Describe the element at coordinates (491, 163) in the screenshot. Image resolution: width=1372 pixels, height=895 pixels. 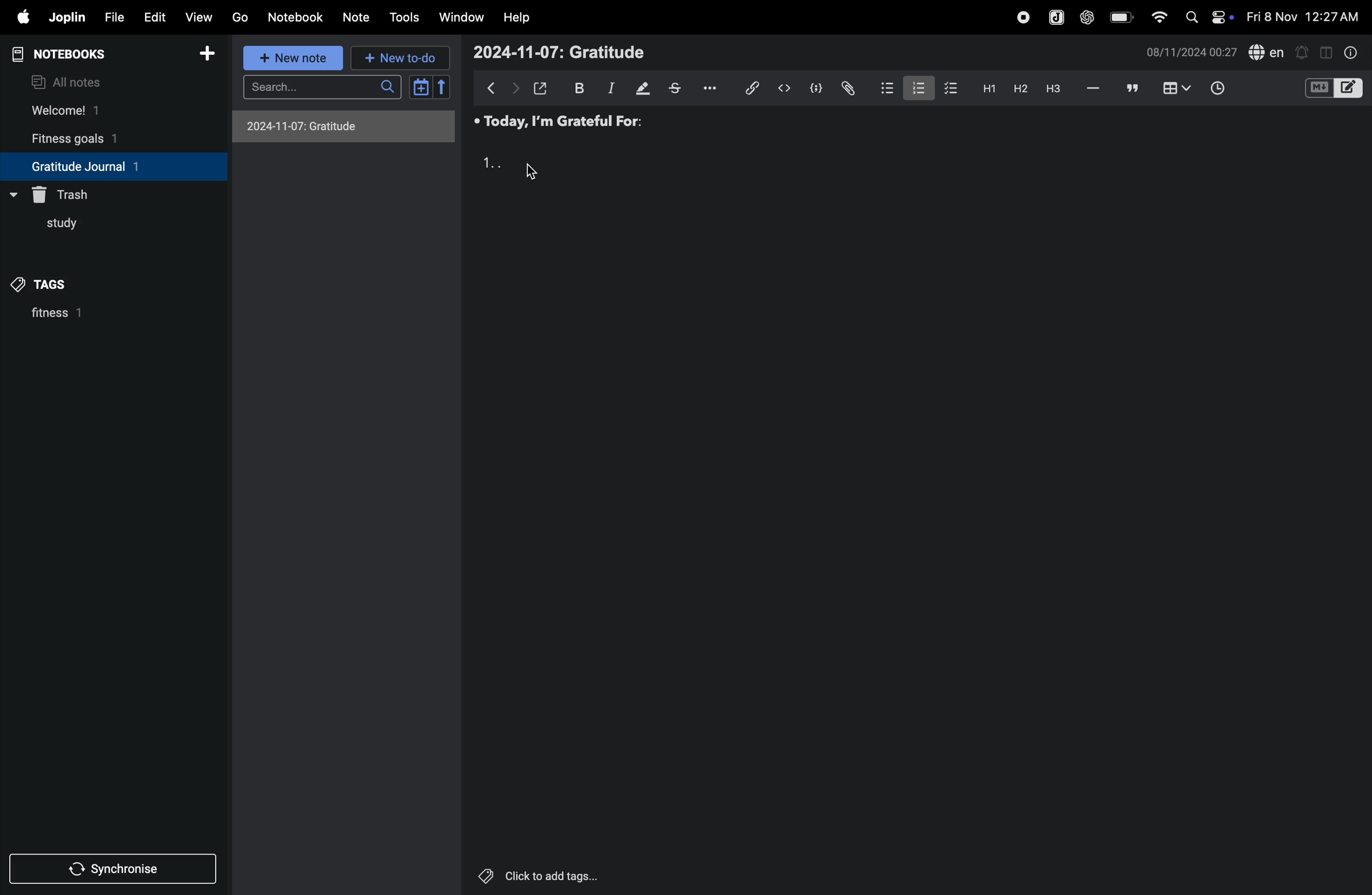
I see `1` at that location.